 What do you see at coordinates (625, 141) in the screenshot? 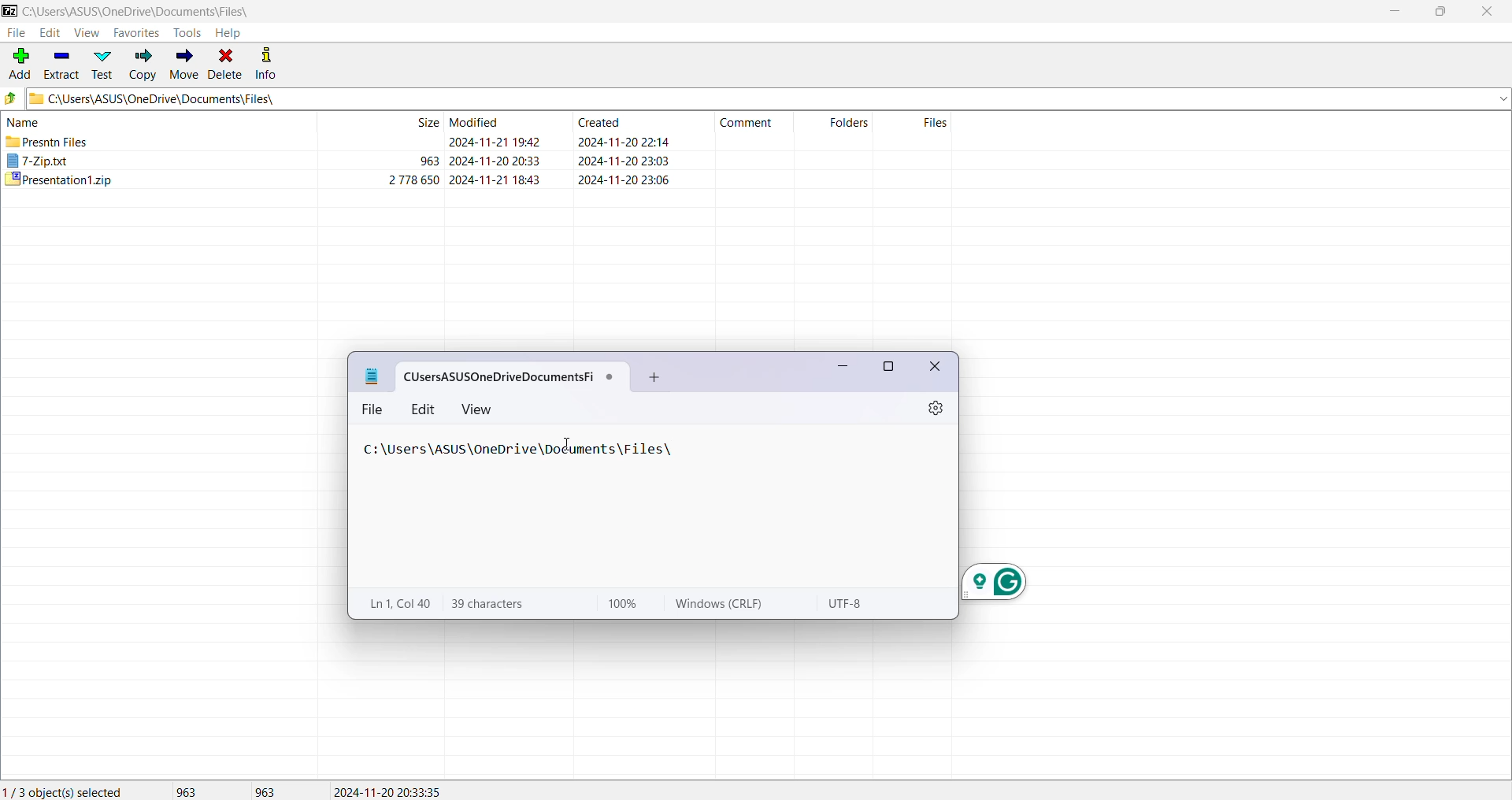
I see `created date & time` at bounding box center [625, 141].